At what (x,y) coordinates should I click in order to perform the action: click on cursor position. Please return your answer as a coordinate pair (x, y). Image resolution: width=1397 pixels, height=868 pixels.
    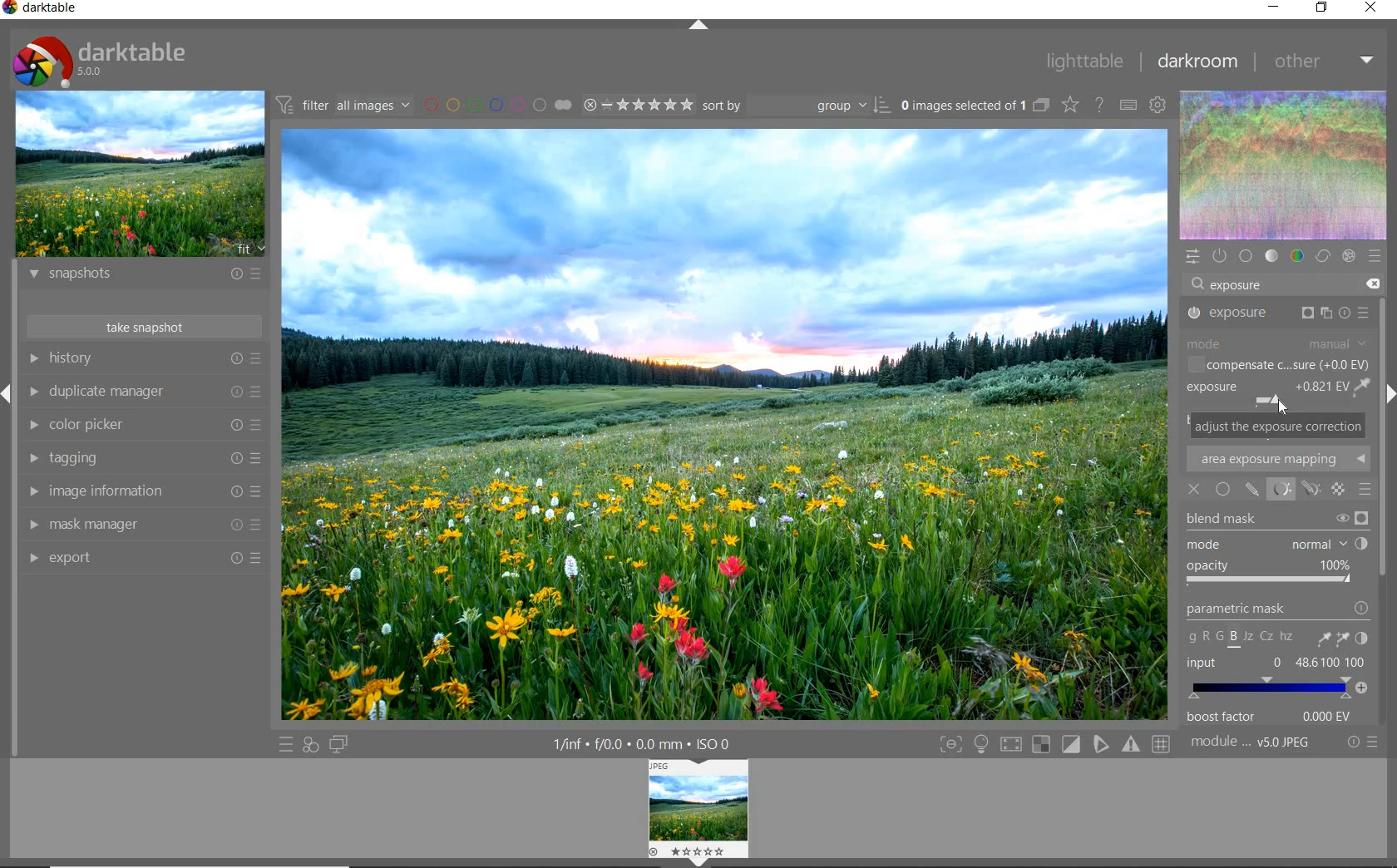
    Looking at the image, I should click on (1282, 410).